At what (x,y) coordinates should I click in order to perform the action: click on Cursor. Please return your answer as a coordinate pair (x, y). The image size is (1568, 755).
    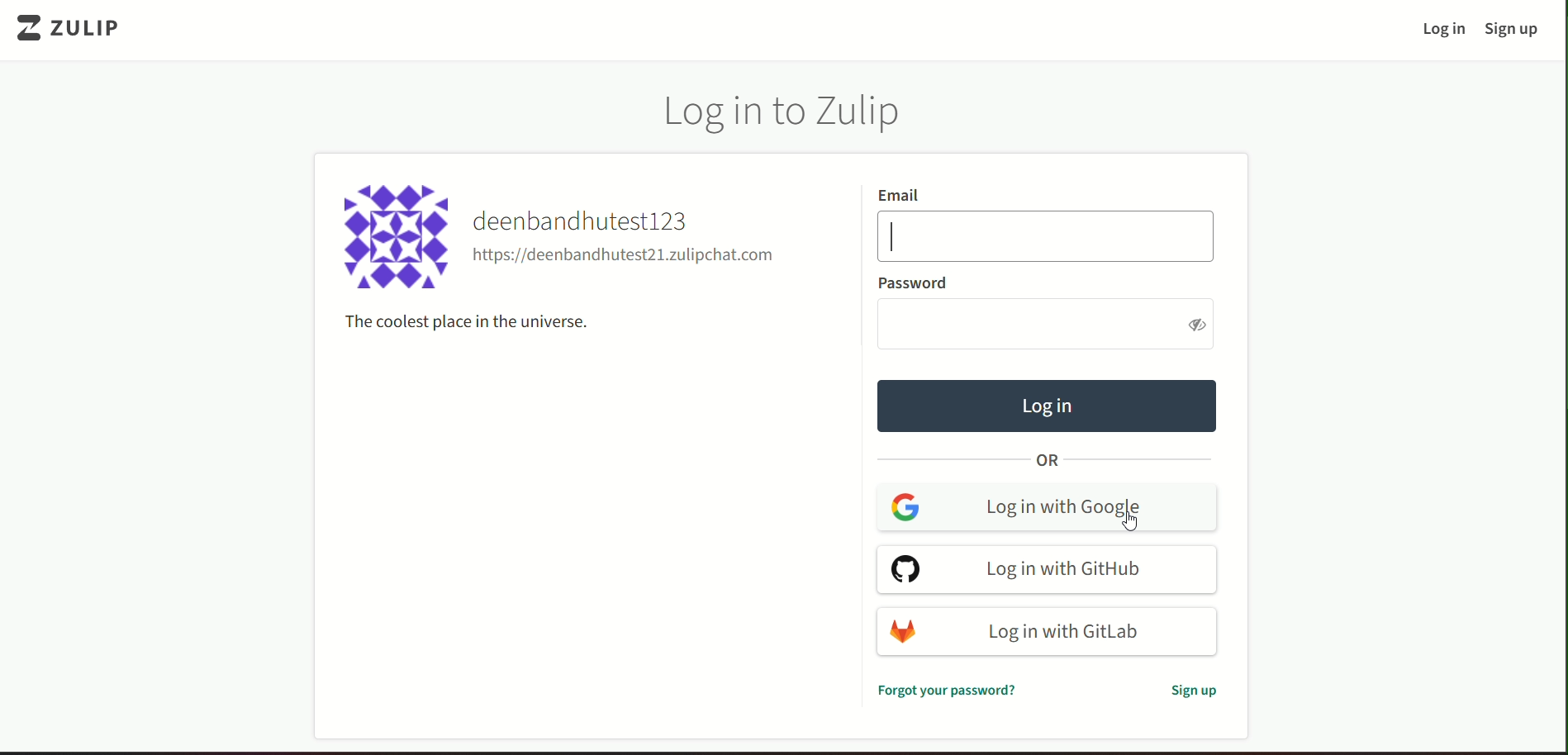
    Looking at the image, I should click on (1133, 522).